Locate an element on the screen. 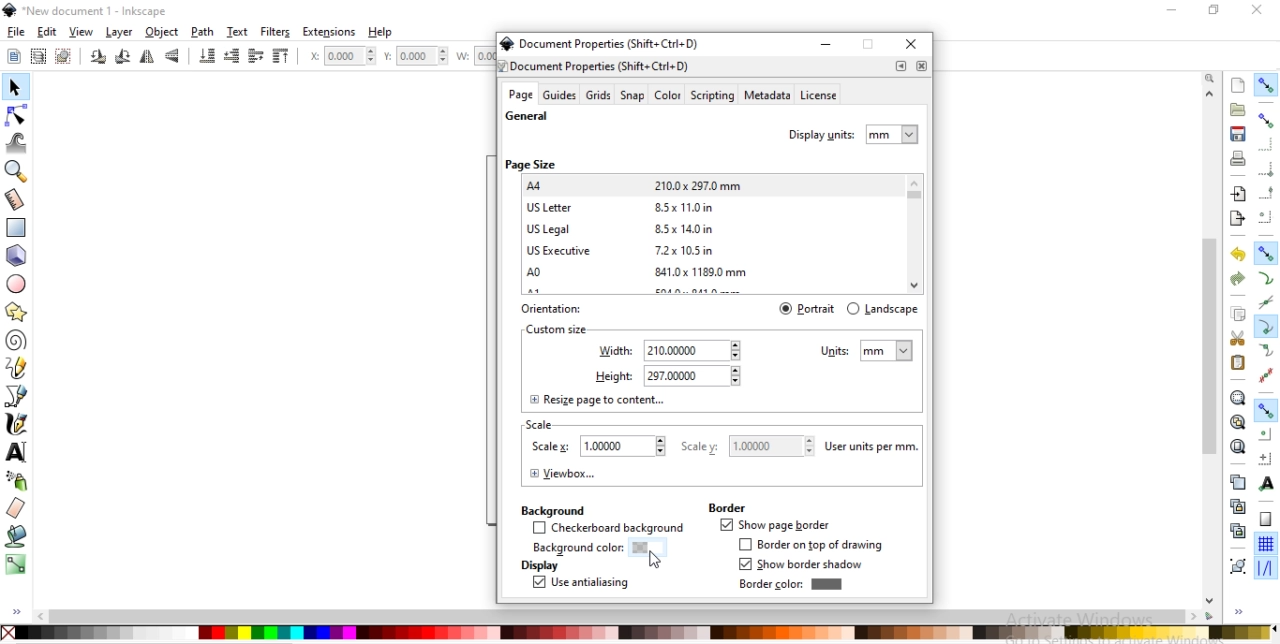 This screenshot has height=644, width=1280. color is located at coordinates (638, 632).